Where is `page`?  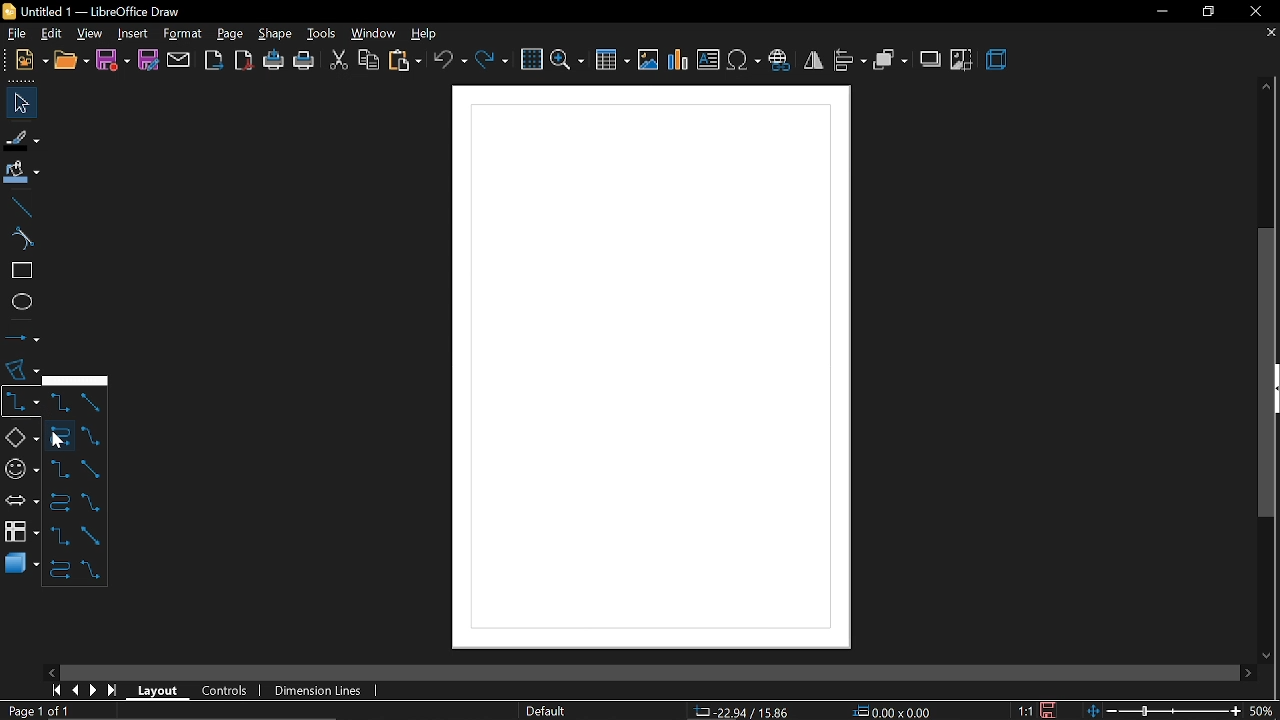
page is located at coordinates (230, 31).